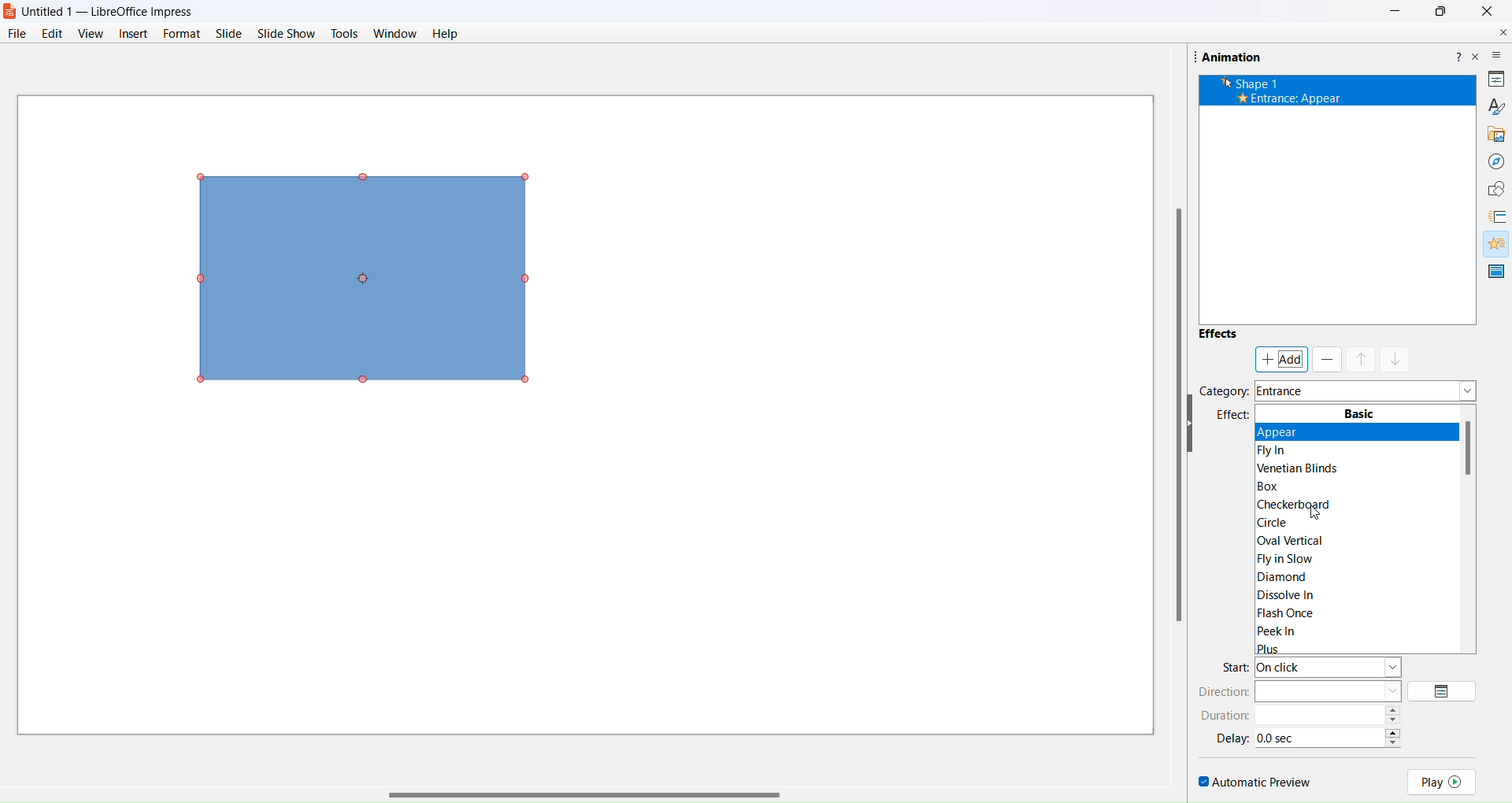  Describe the element at coordinates (180, 32) in the screenshot. I see `format` at that location.